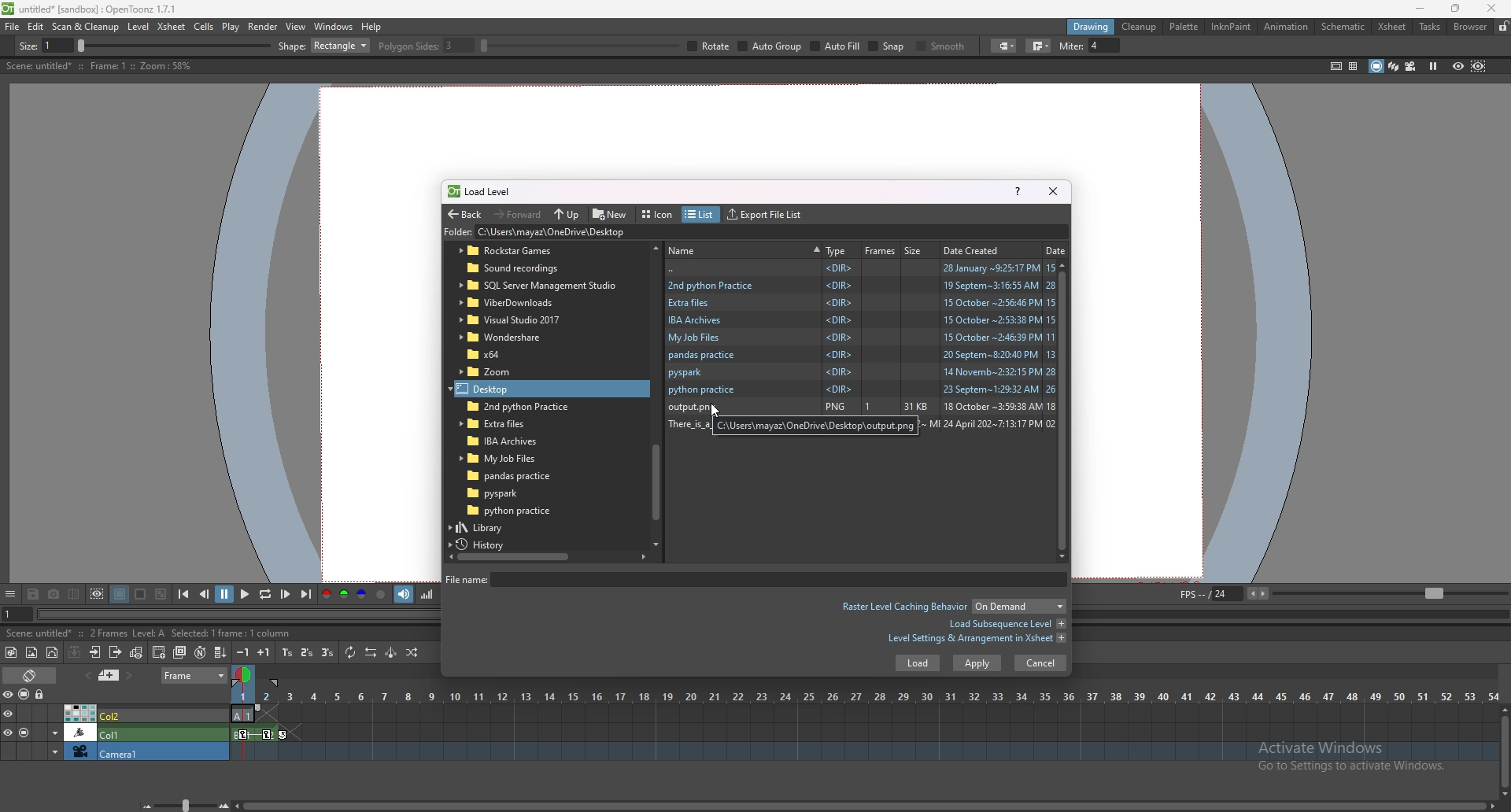 The image size is (1511, 812). Describe the element at coordinates (977, 249) in the screenshot. I see `date created` at that location.